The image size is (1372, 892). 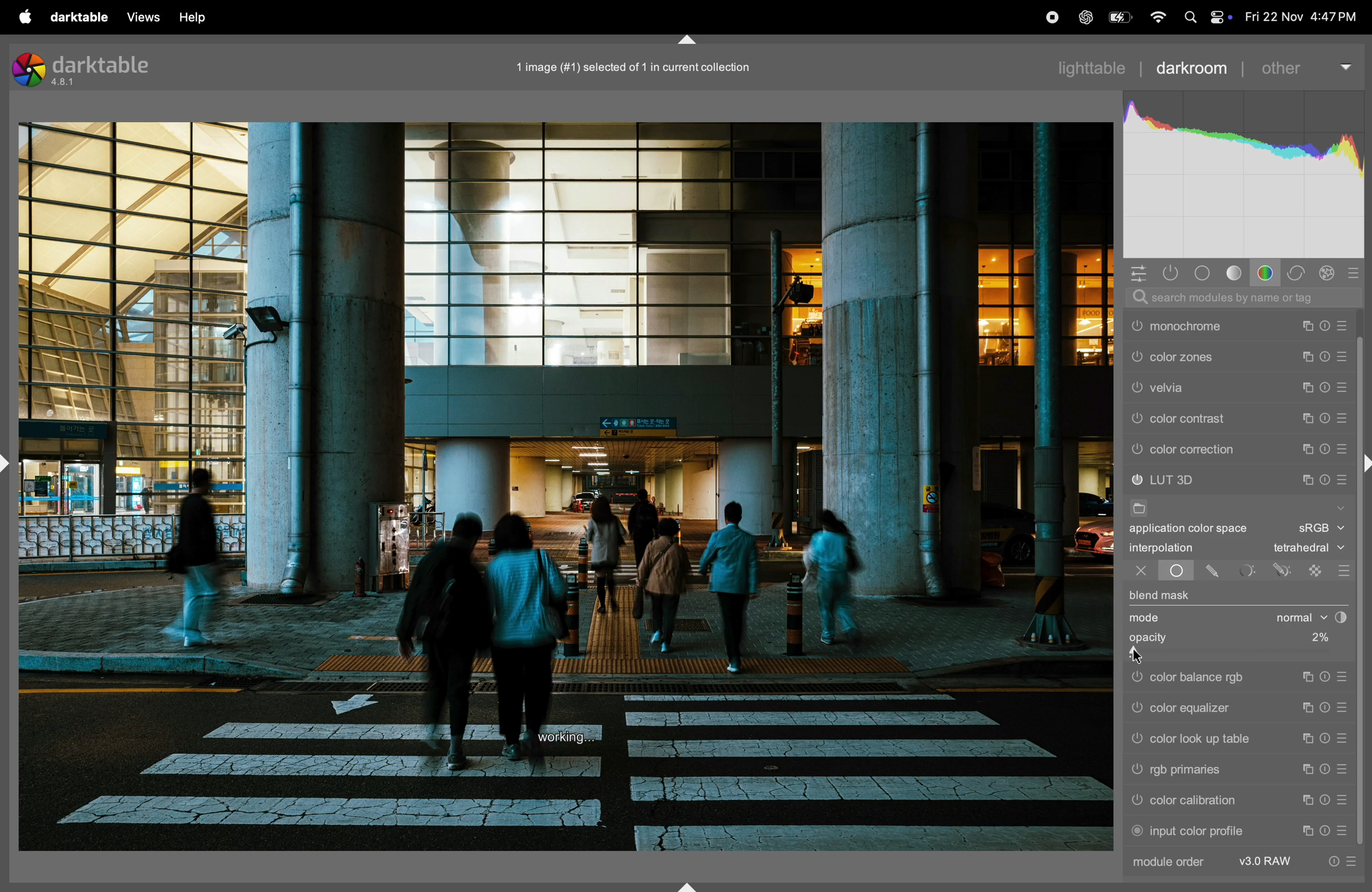 What do you see at coordinates (1237, 655) in the screenshot?
I see `slider` at bounding box center [1237, 655].